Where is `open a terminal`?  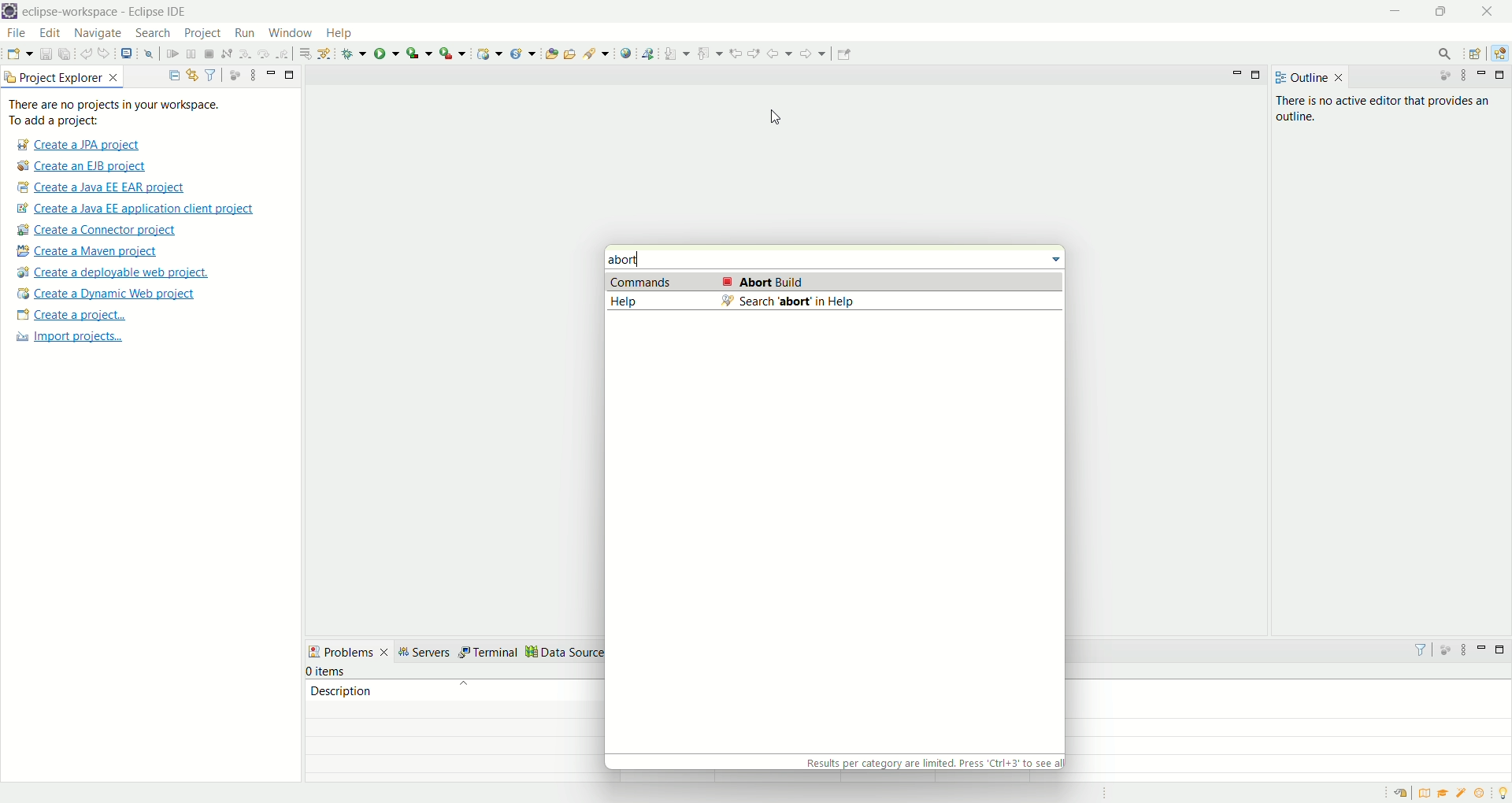 open a terminal is located at coordinates (127, 56).